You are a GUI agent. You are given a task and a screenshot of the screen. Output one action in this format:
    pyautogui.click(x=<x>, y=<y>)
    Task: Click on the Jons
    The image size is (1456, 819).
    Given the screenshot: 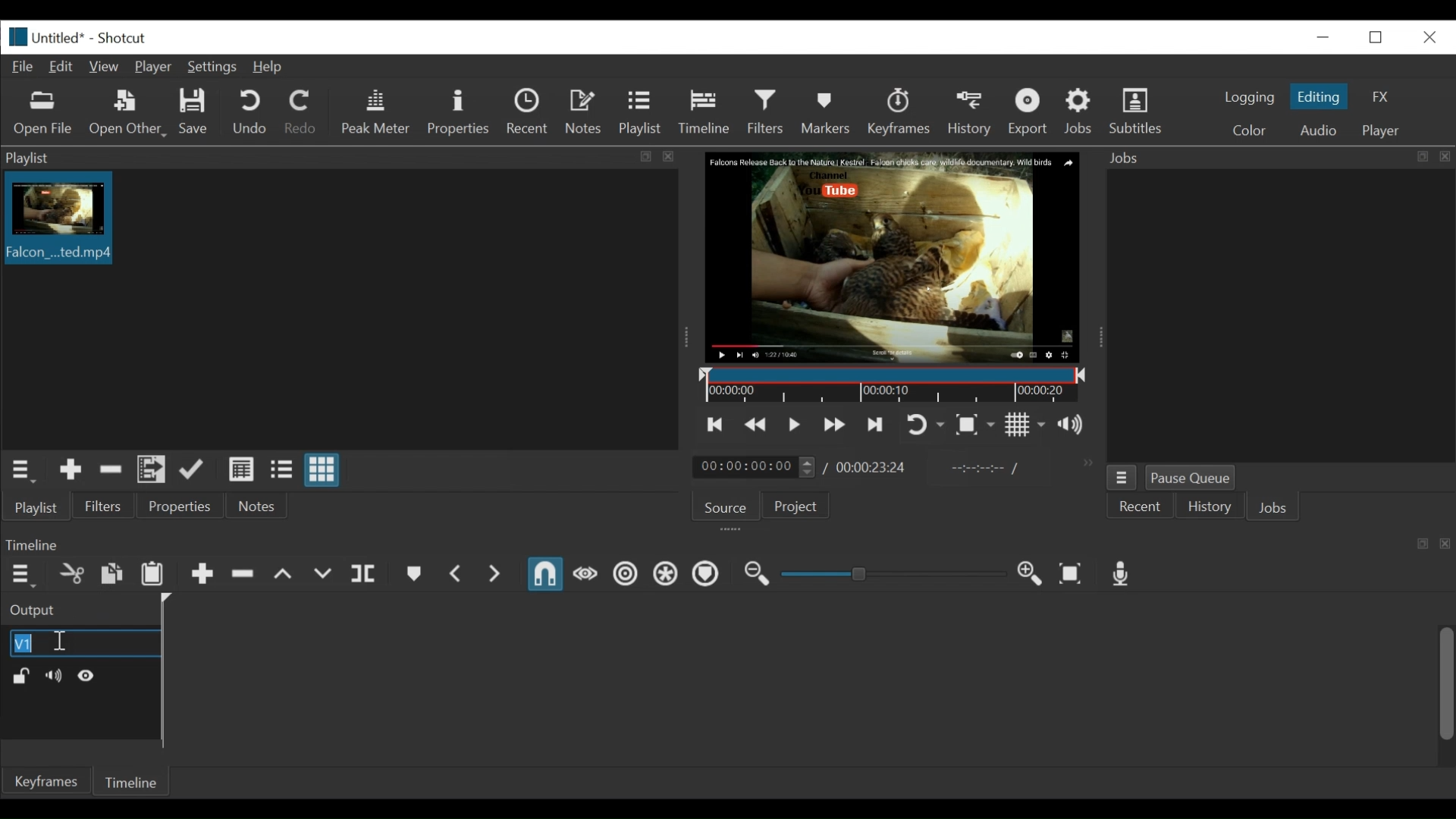 What is the action you would take?
    pyautogui.click(x=1275, y=509)
    